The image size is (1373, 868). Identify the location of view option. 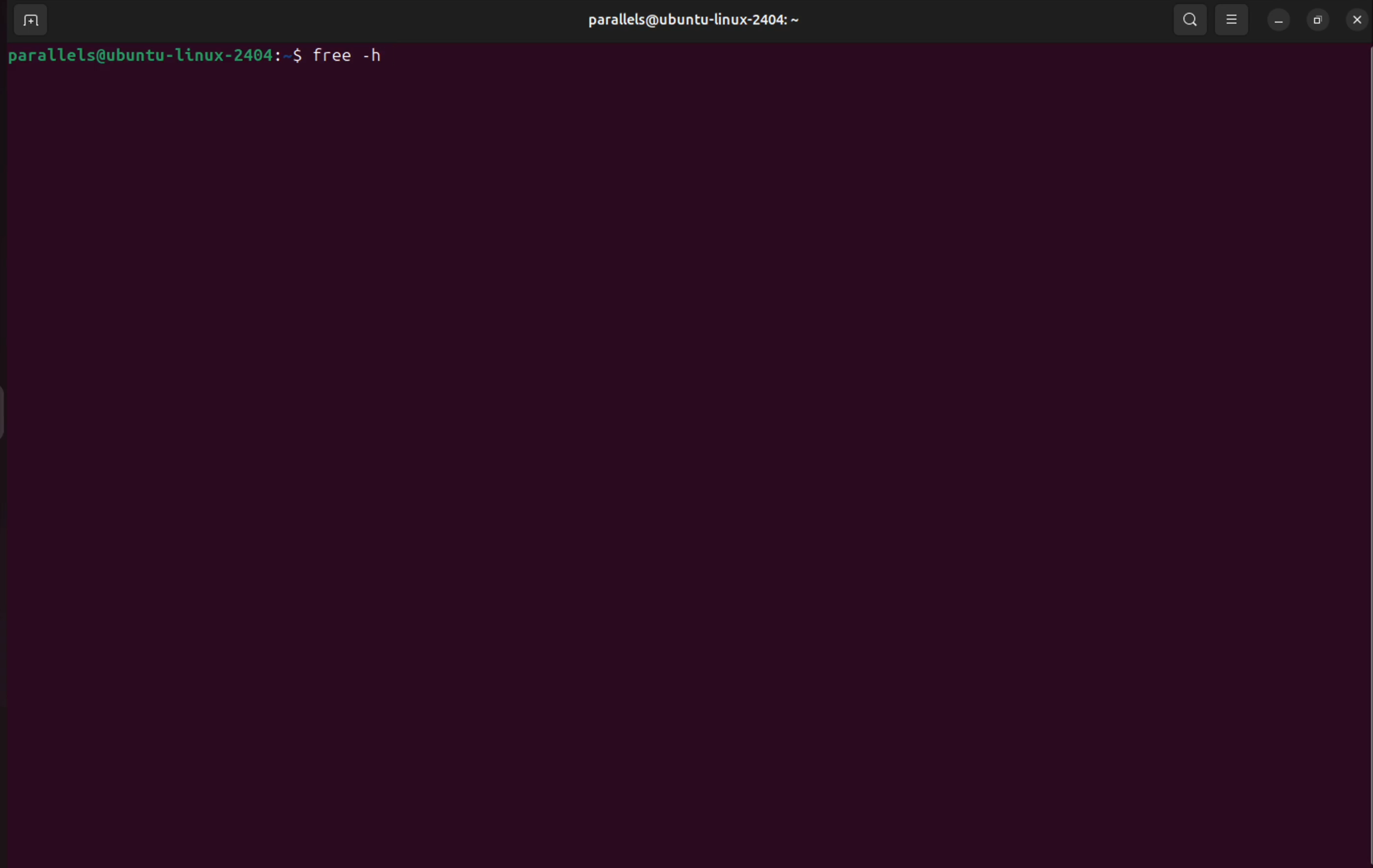
(1233, 20).